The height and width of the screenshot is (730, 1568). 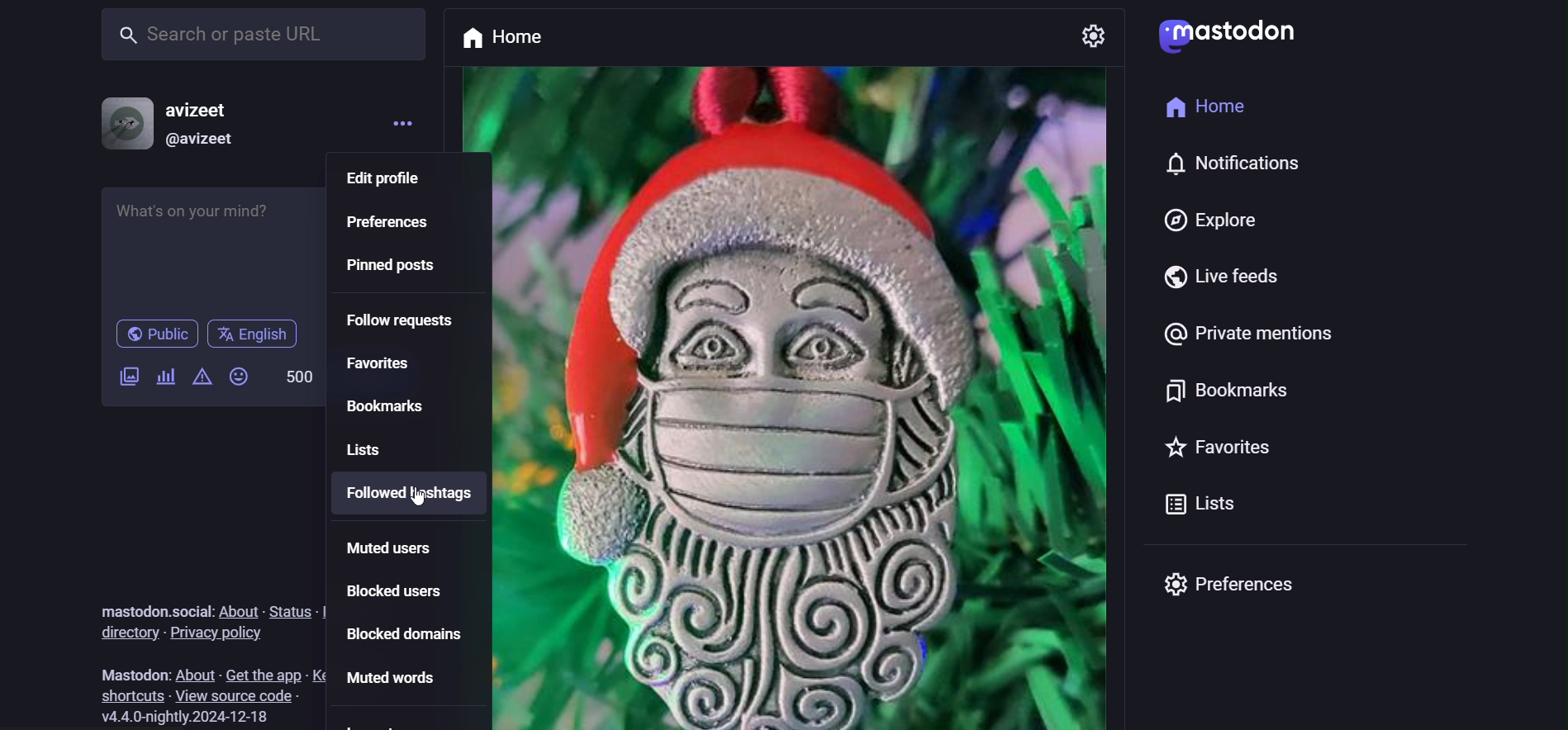 I want to click on status, so click(x=287, y=611).